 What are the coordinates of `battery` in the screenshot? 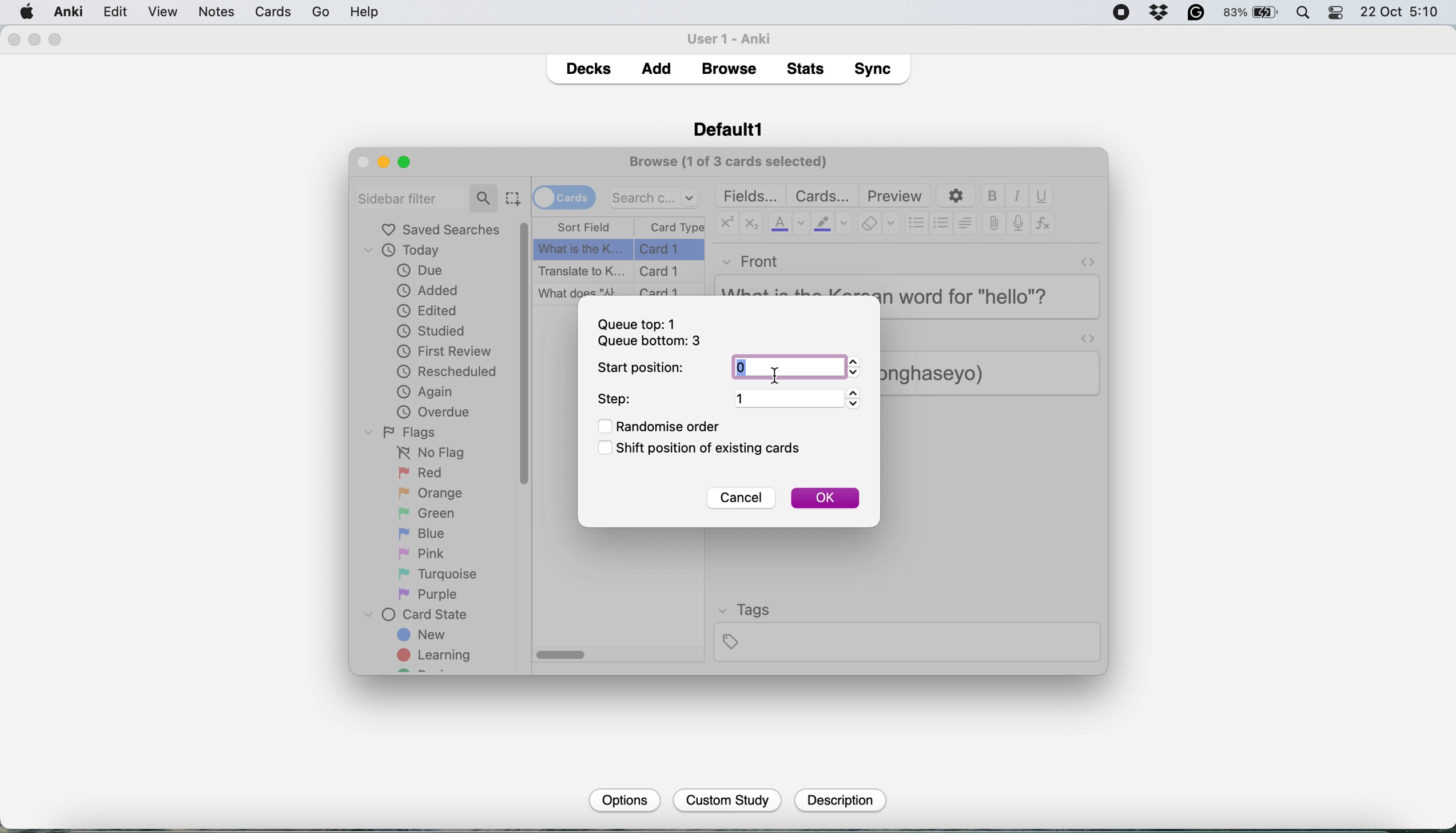 It's located at (1252, 13).